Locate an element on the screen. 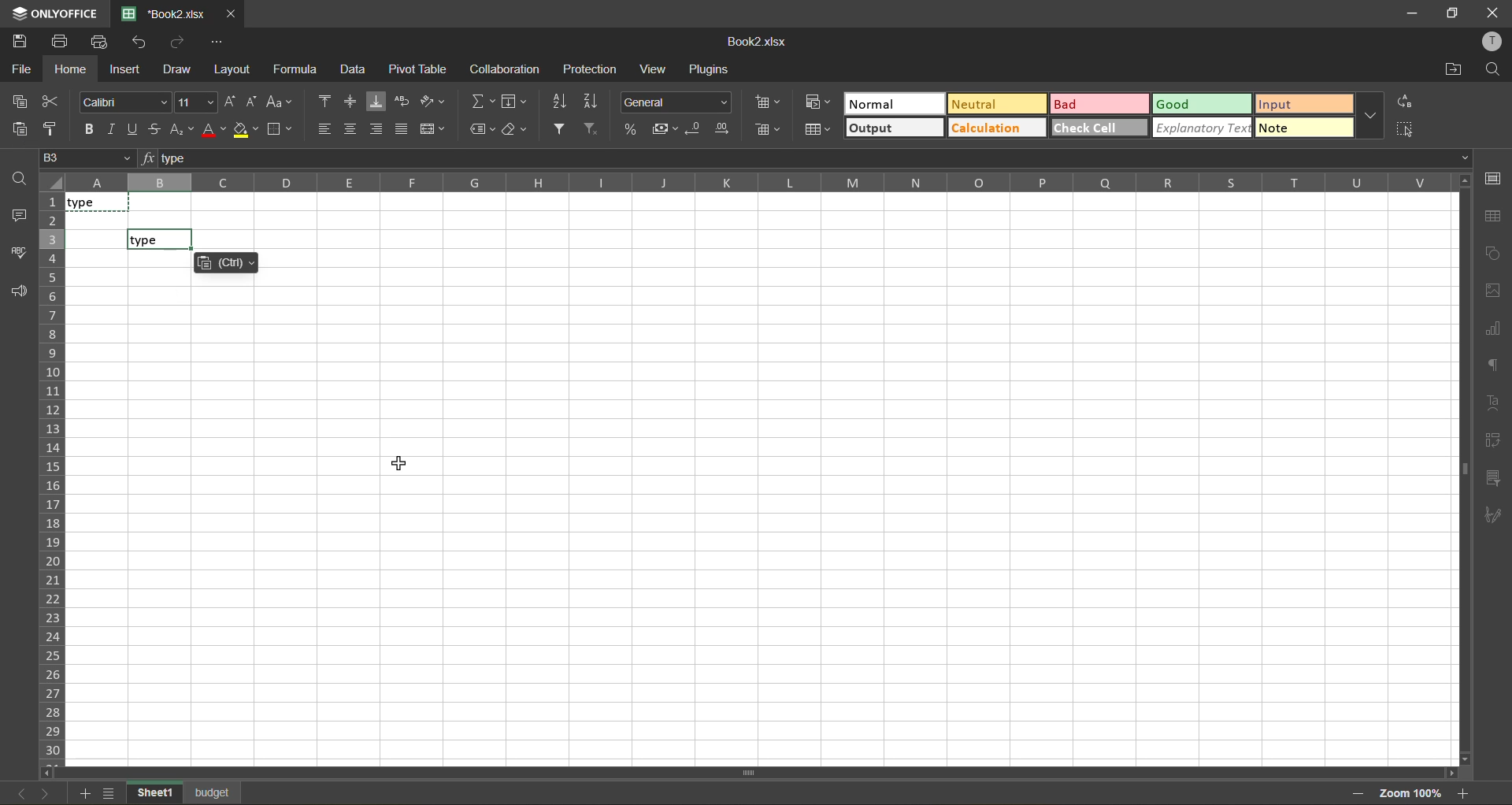 This screenshot has width=1512, height=805. minimize is located at coordinates (1414, 13).